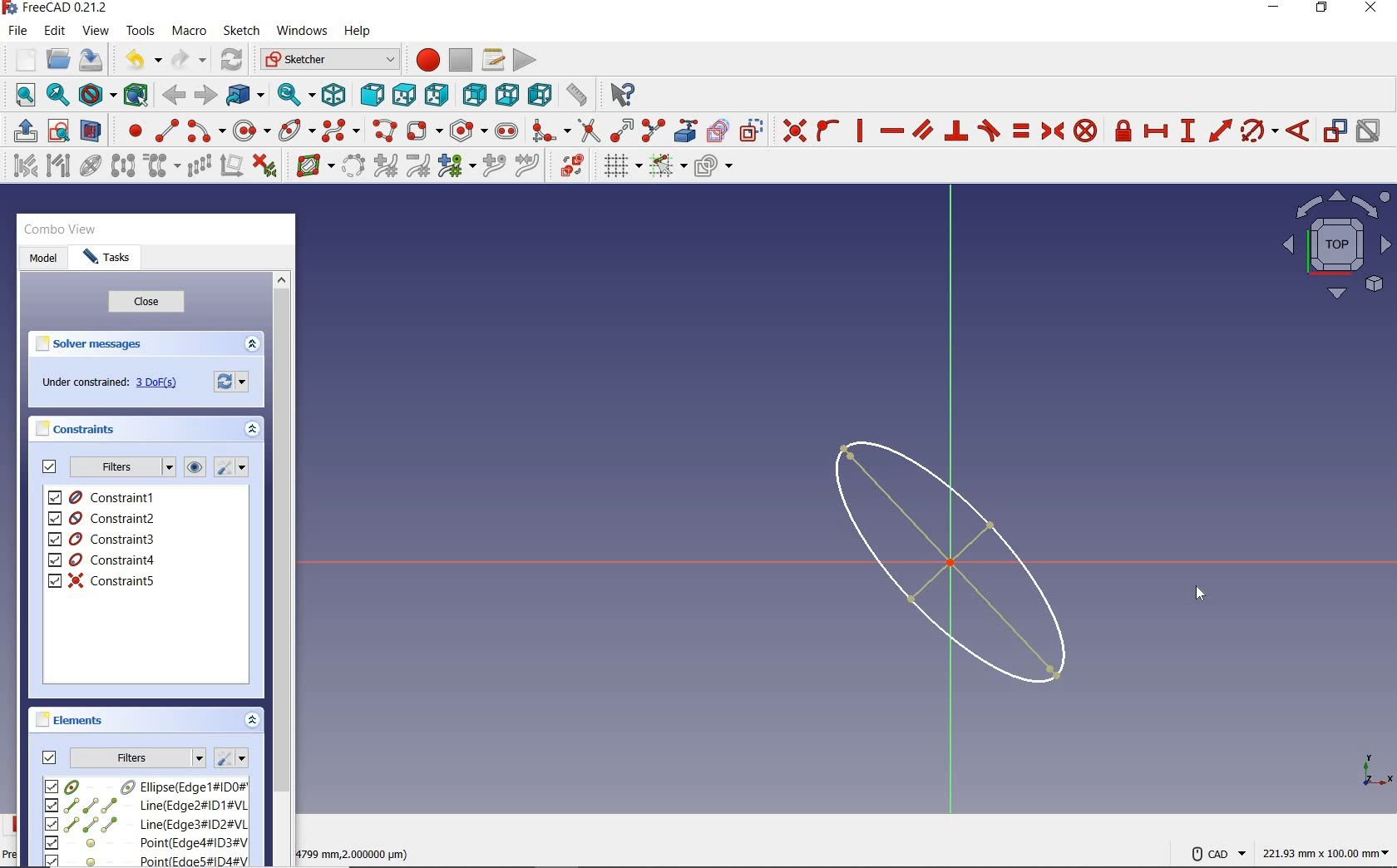  What do you see at coordinates (50, 466) in the screenshot?
I see `check to toggle filters` at bounding box center [50, 466].